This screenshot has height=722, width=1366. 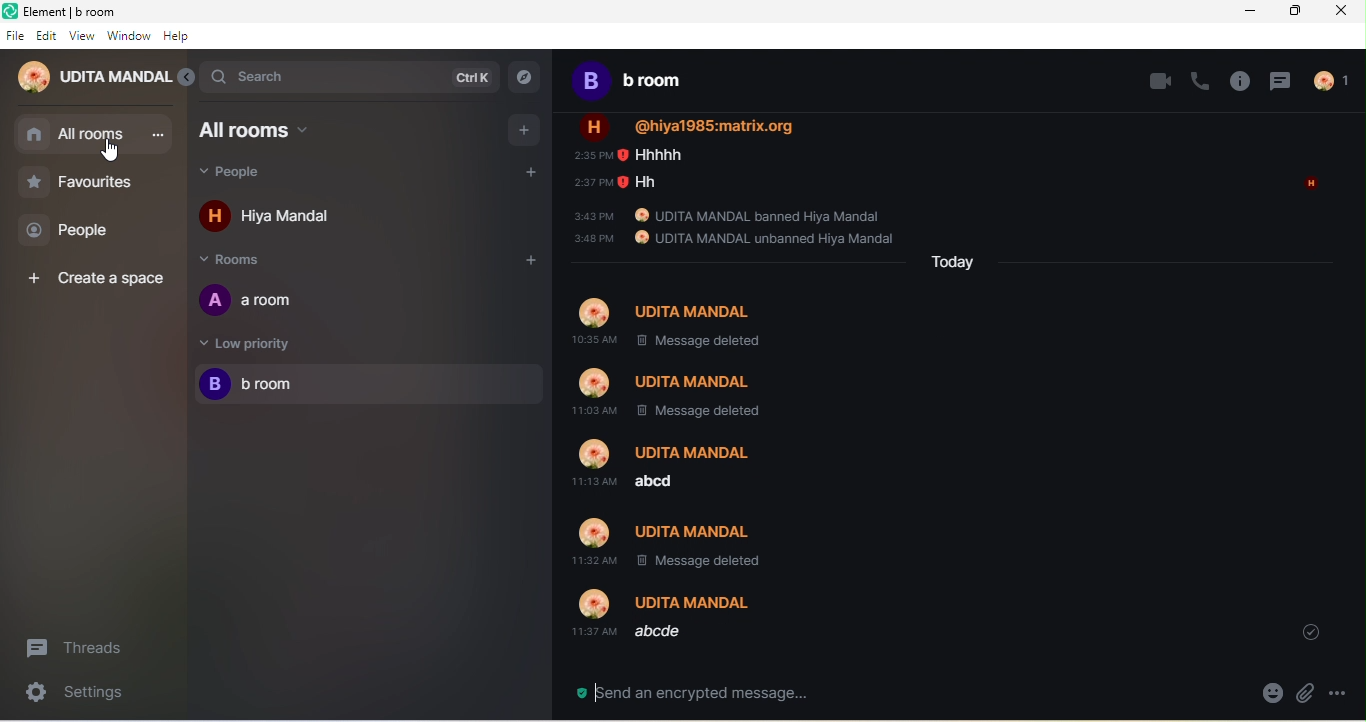 What do you see at coordinates (277, 215) in the screenshot?
I see `hiya mandal` at bounding box center [277, 215].